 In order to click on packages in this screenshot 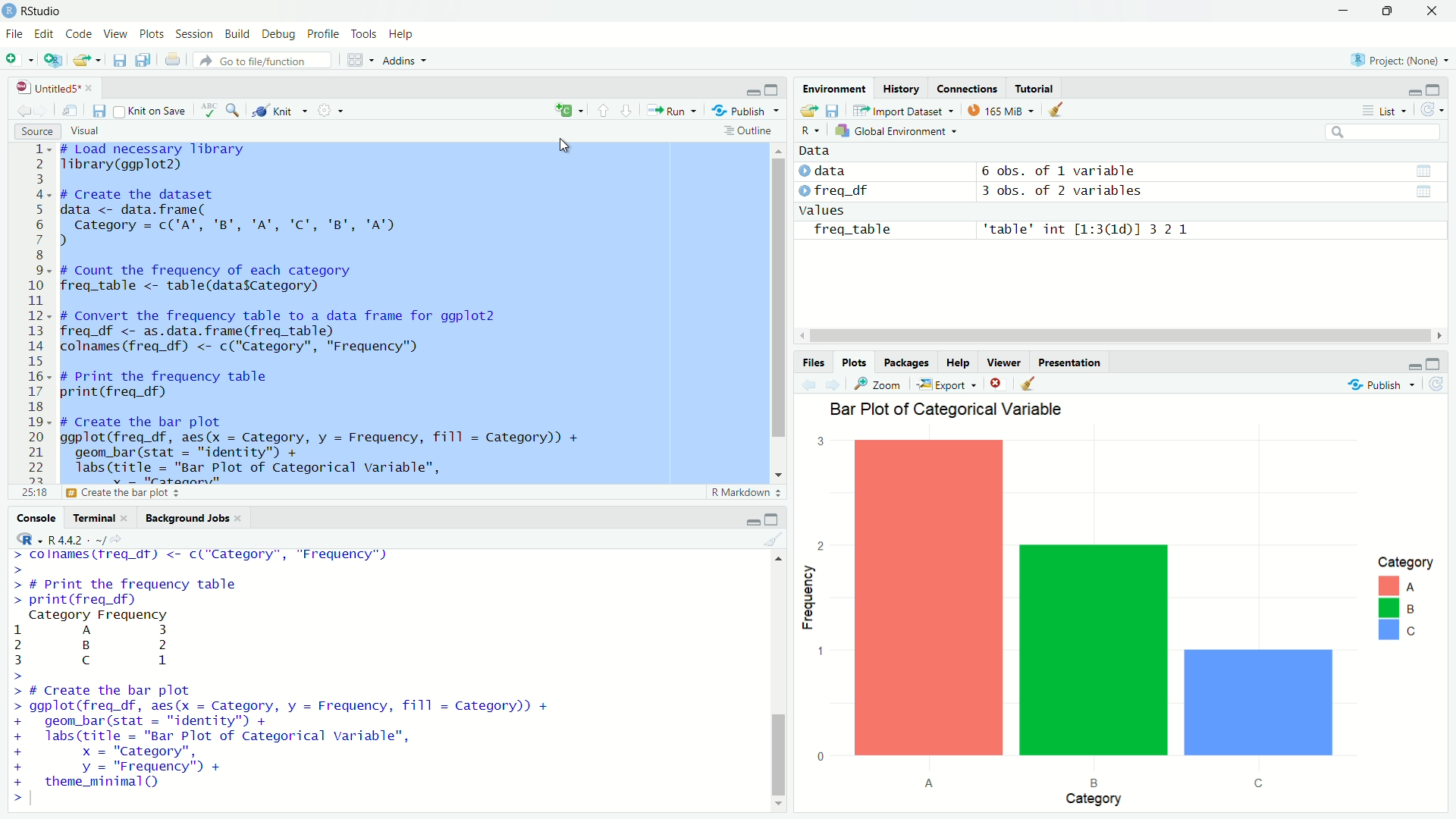, I will do `click(906, 362)`.